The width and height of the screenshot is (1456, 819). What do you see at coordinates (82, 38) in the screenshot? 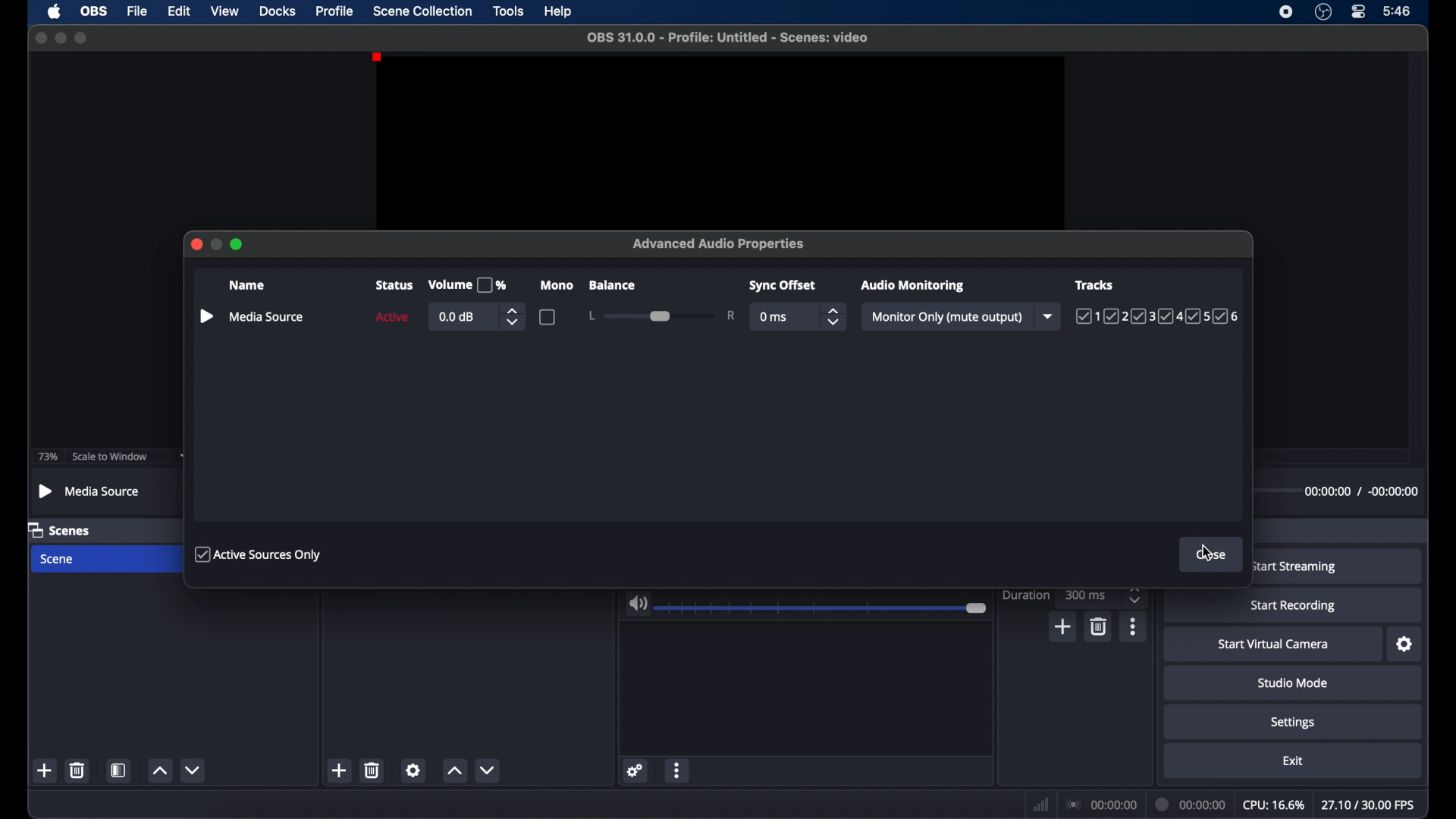
I see `maximize` at bounding box center [82, 38].